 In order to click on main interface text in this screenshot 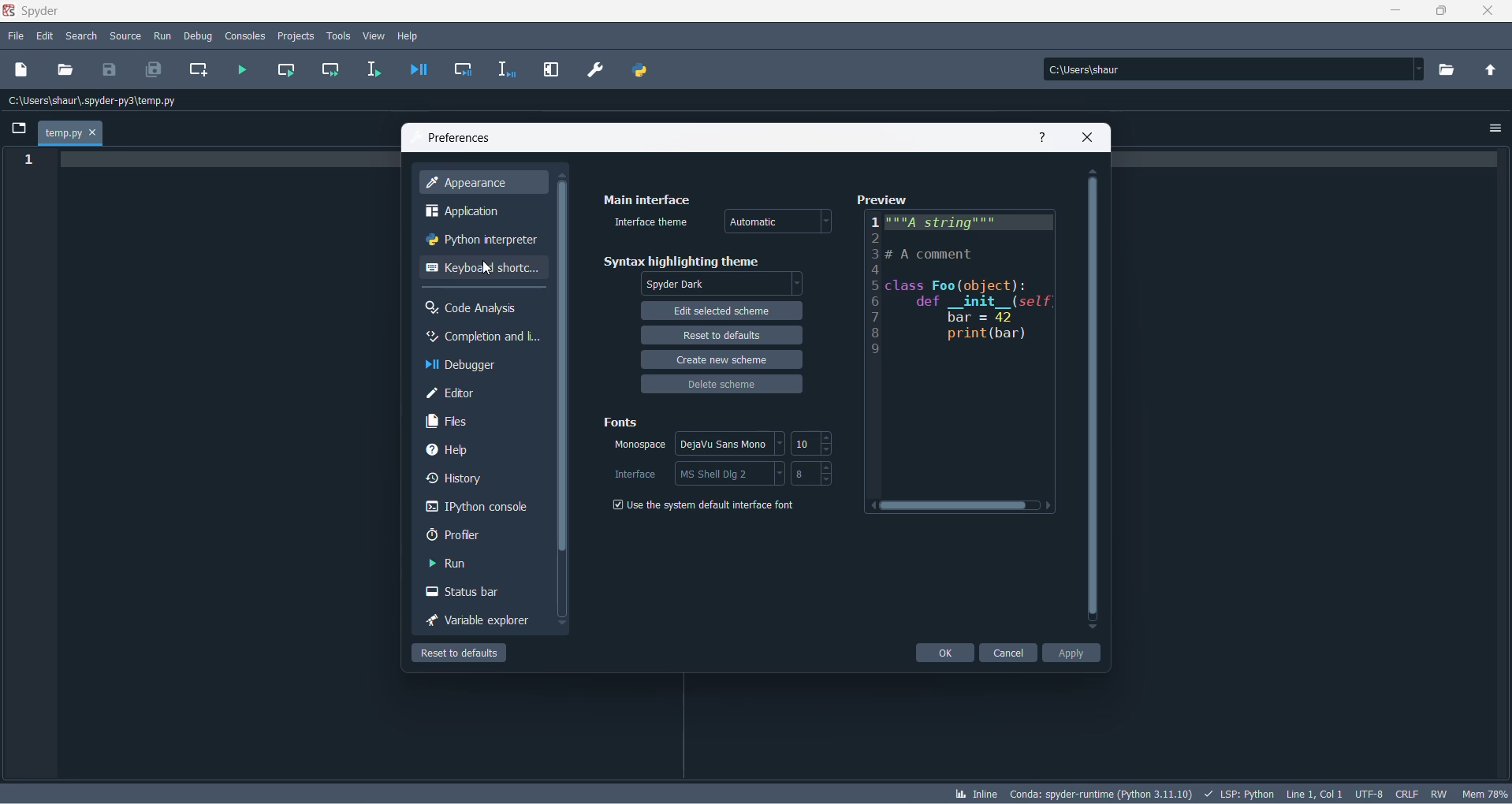, I will do `click(649, 199)`.